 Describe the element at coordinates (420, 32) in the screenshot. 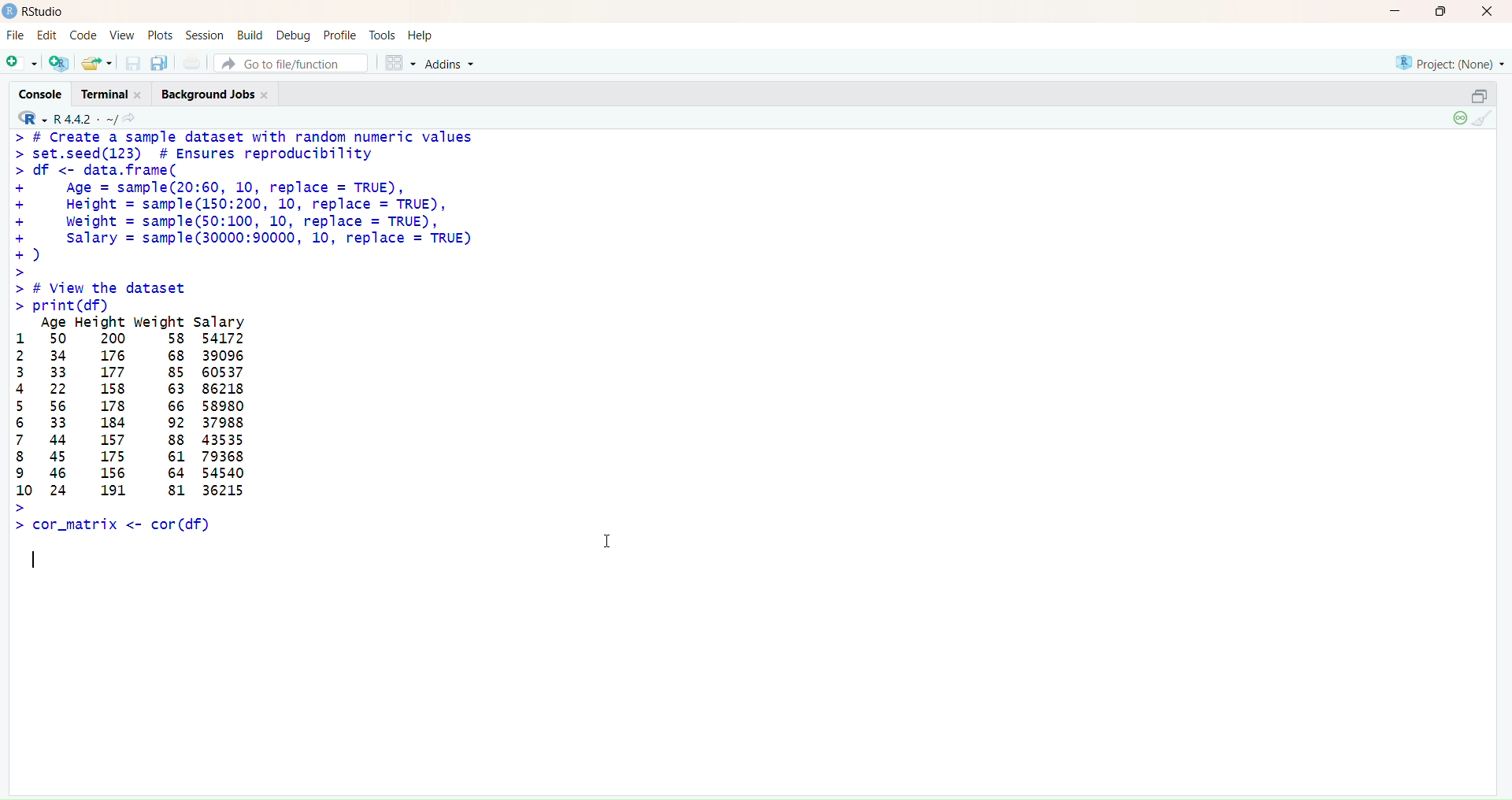

I see `Help` at that location.